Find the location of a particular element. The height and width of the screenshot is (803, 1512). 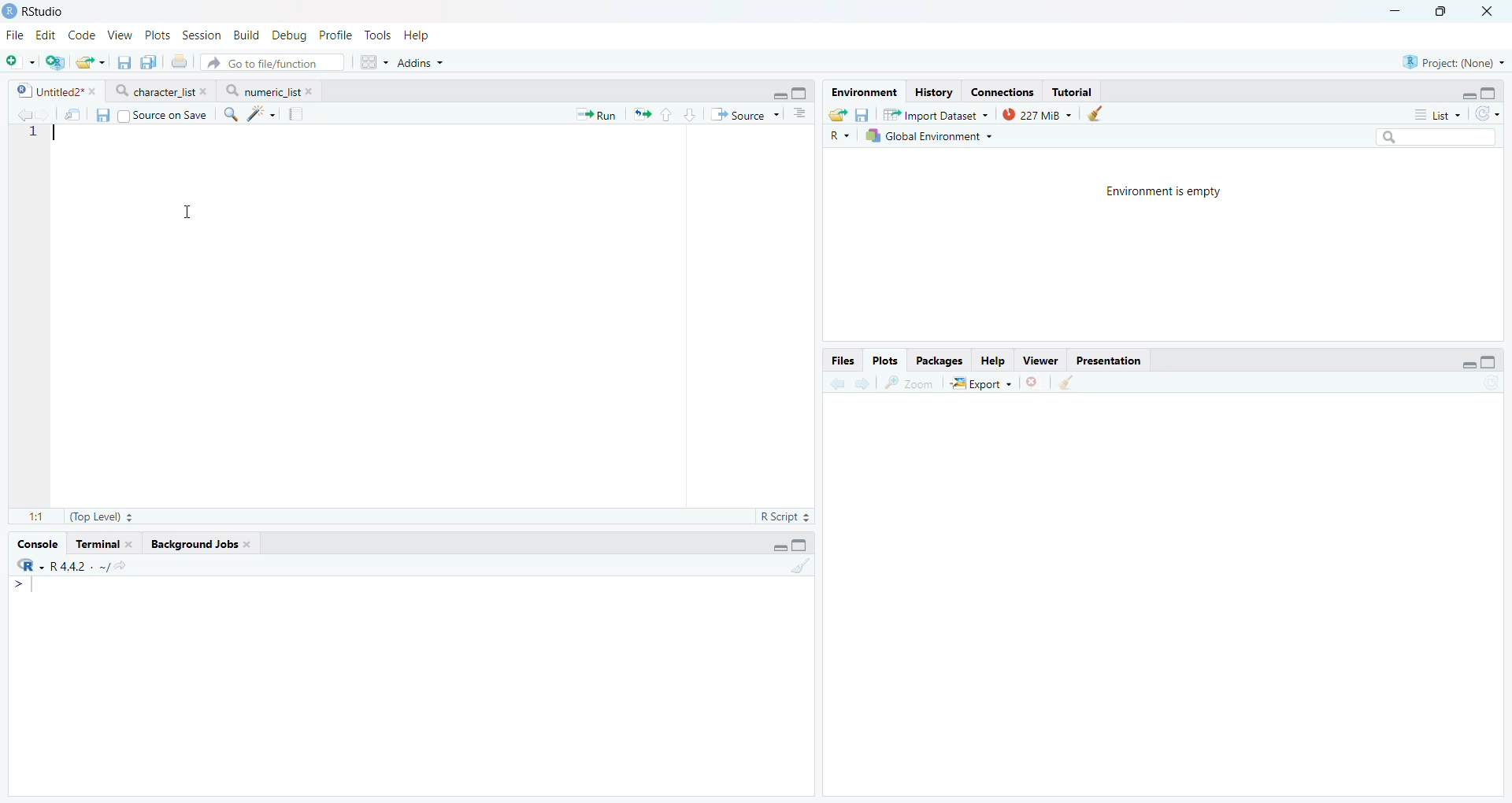

Line numbers is located at coordinates (31, 134).